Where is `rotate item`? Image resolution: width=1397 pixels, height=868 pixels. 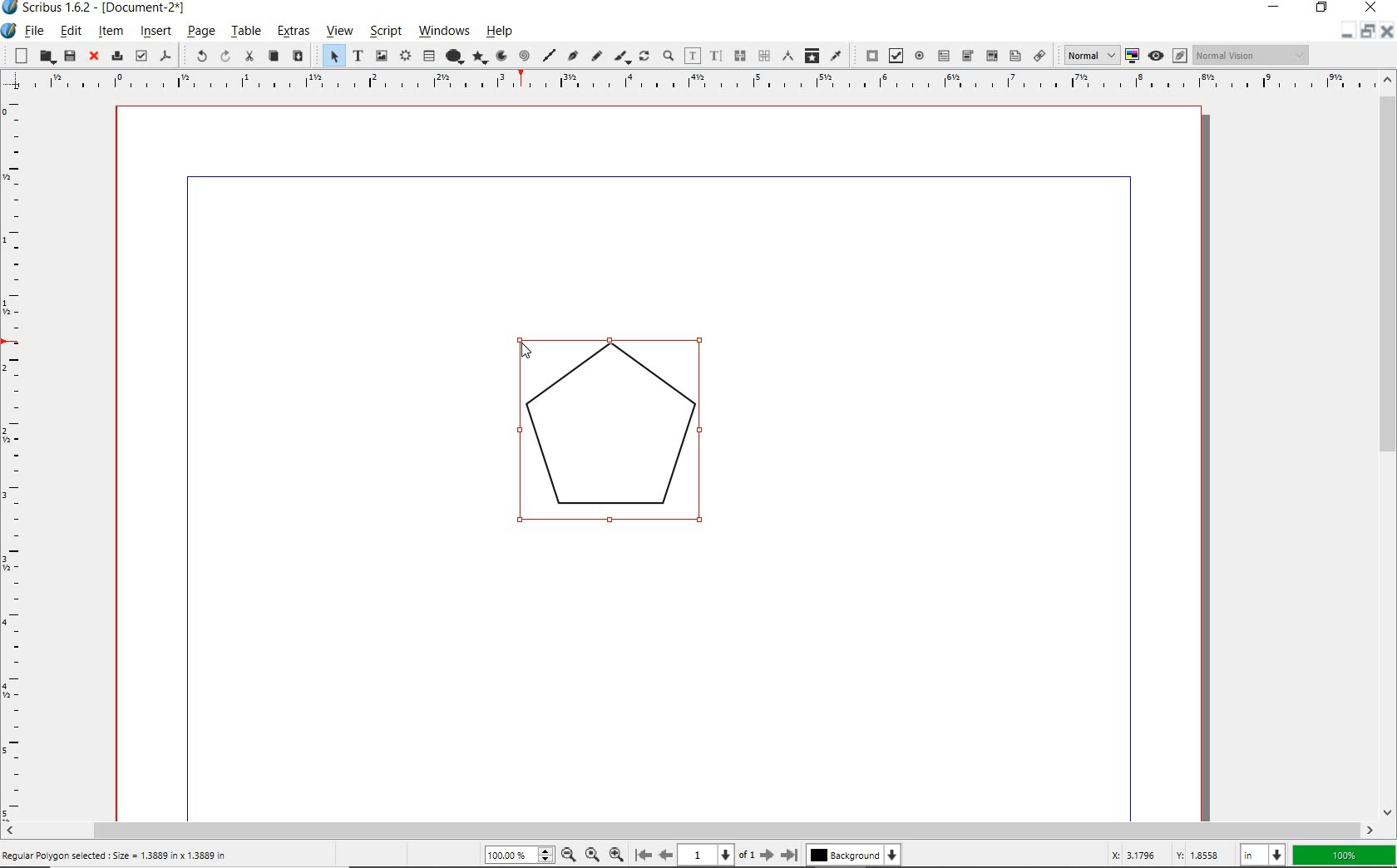
rotate item is located at coordinates (645, 57).